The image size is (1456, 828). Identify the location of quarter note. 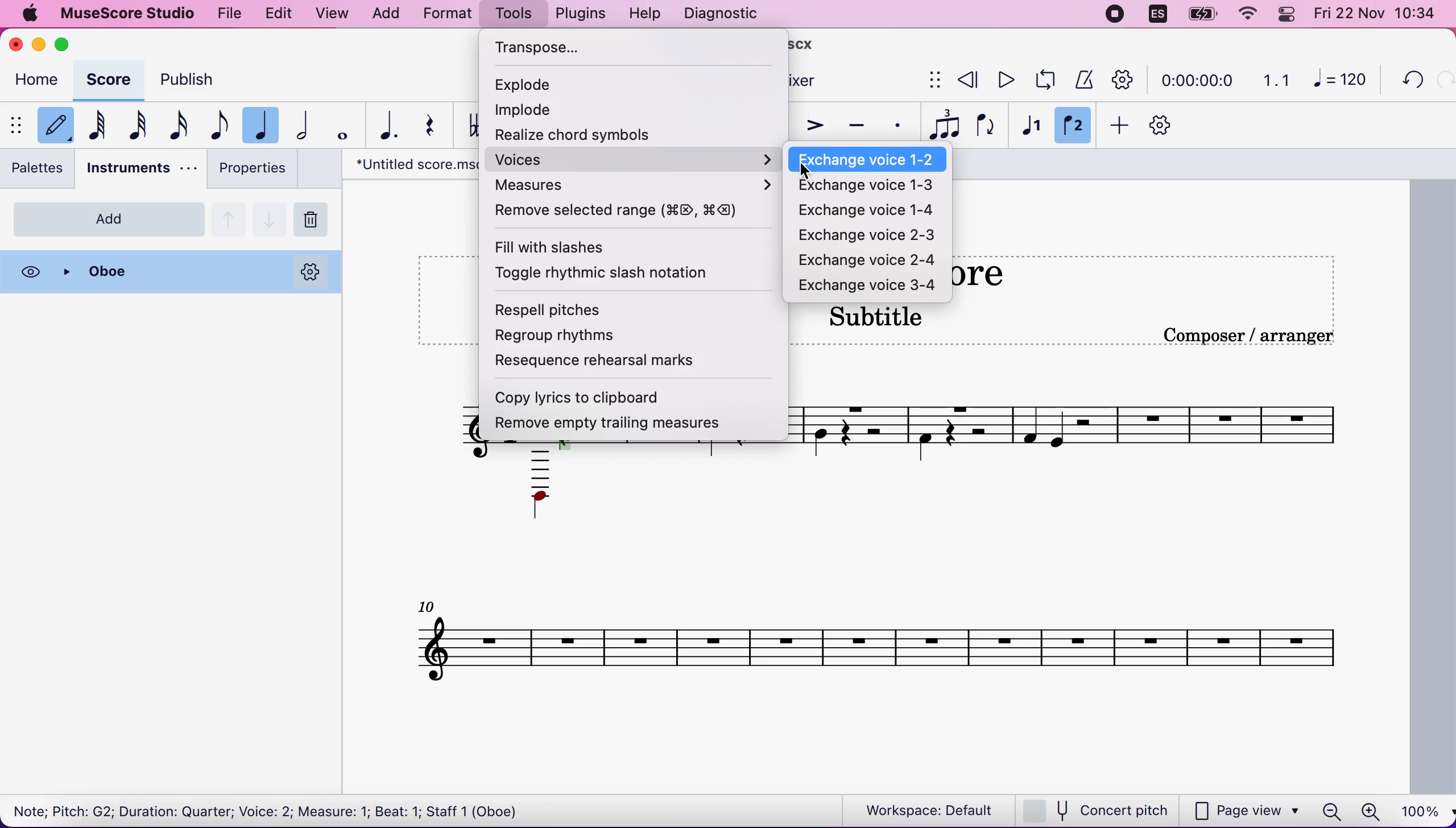
(260, 125).